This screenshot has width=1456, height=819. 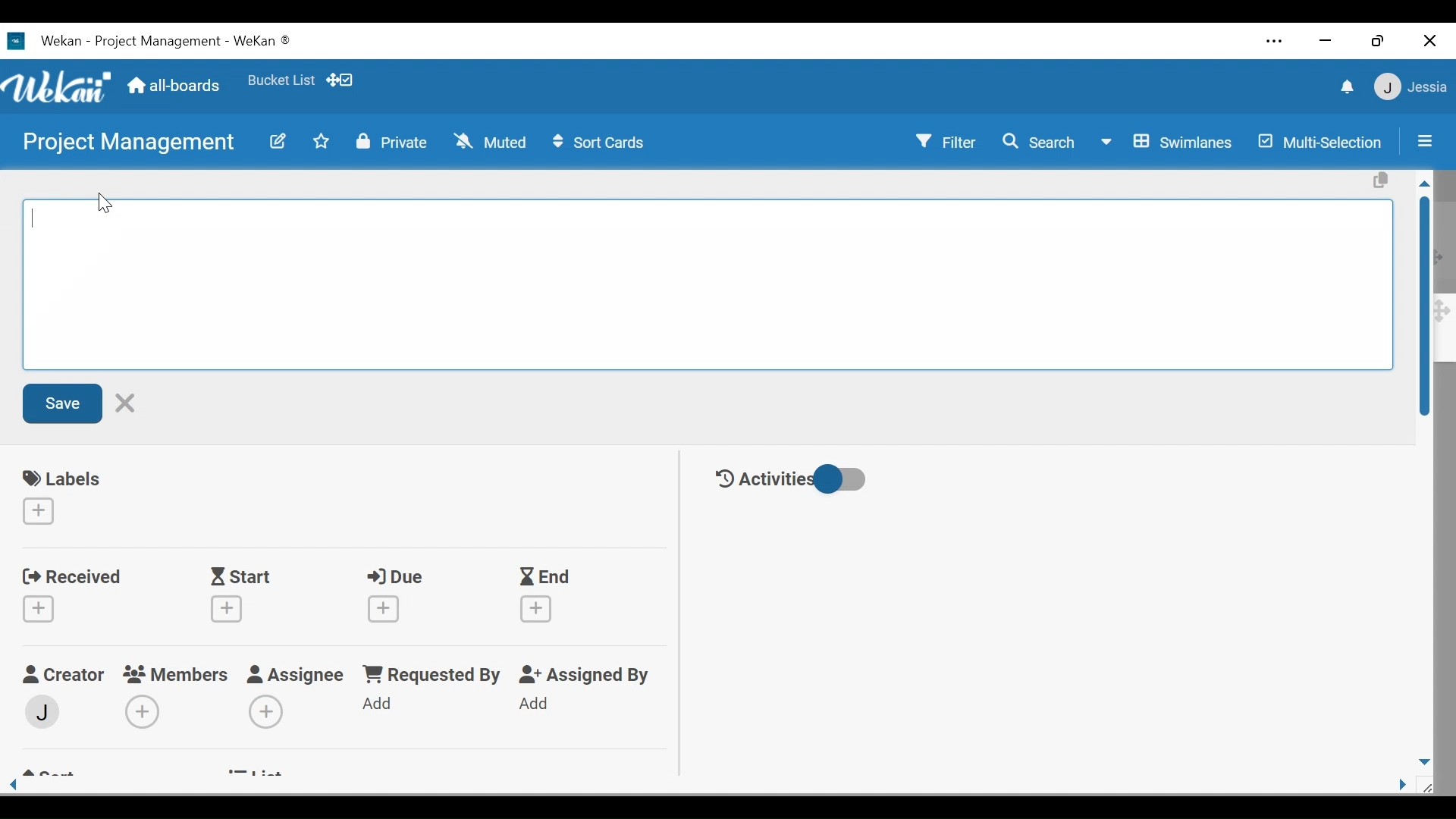 I want to click on Create due date , so click(x=384, y=609).